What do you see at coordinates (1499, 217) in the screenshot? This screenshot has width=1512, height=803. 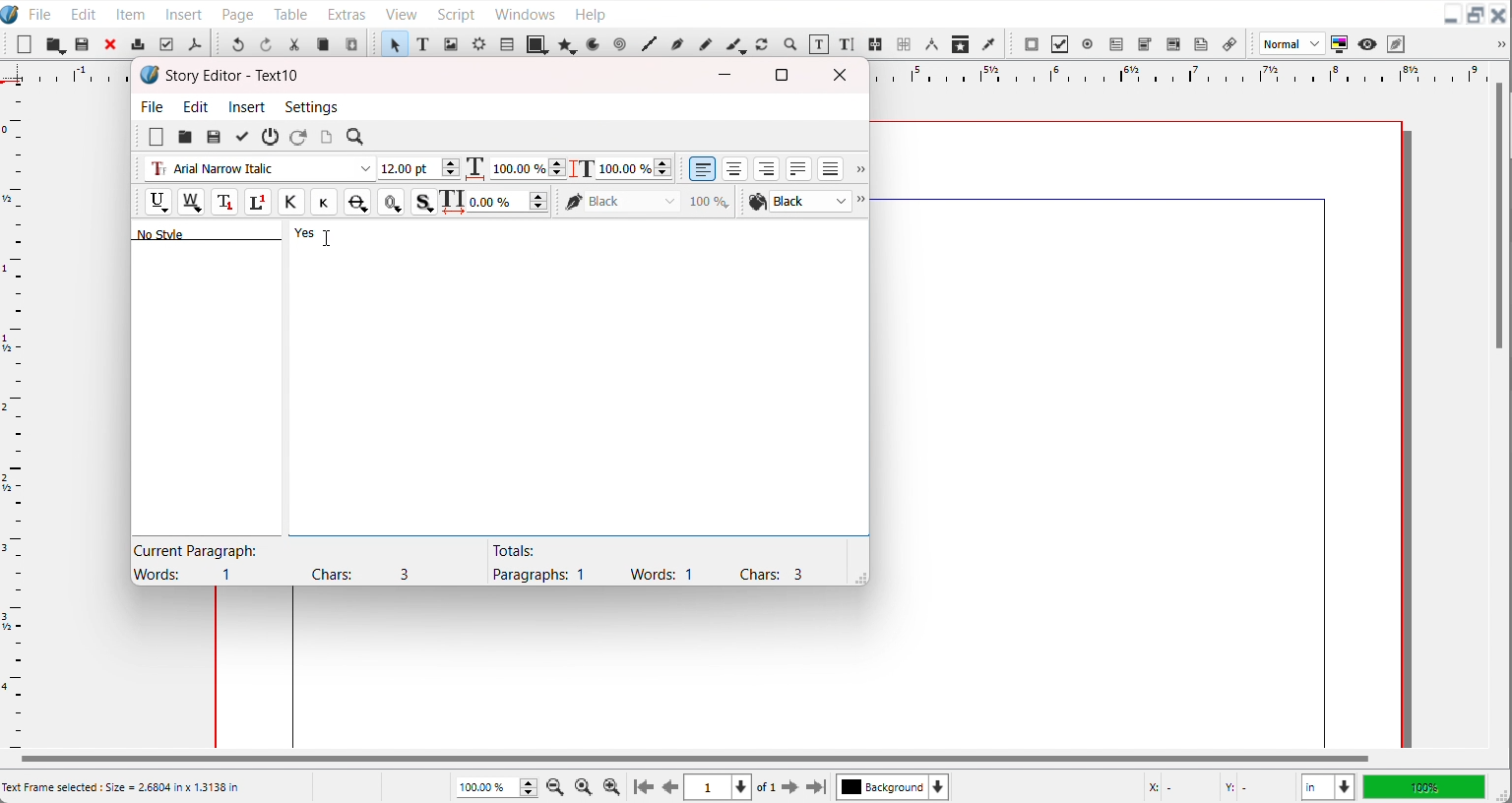 I see `Vertical scroll bar` at bounding box center [1499, 217].